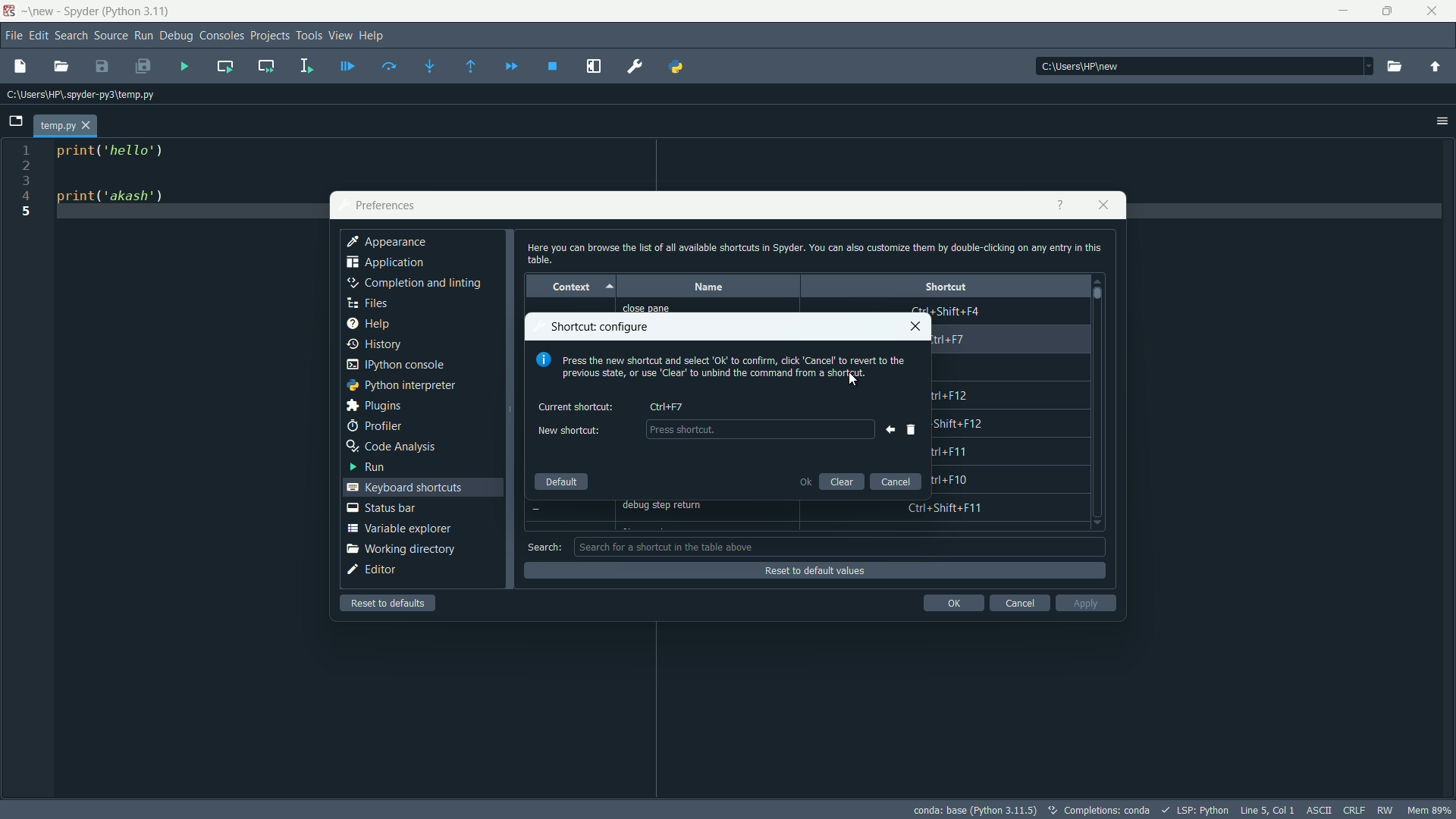  Describe the element at coordinates (375, 344) in the screenshot. I see `history` at that location.